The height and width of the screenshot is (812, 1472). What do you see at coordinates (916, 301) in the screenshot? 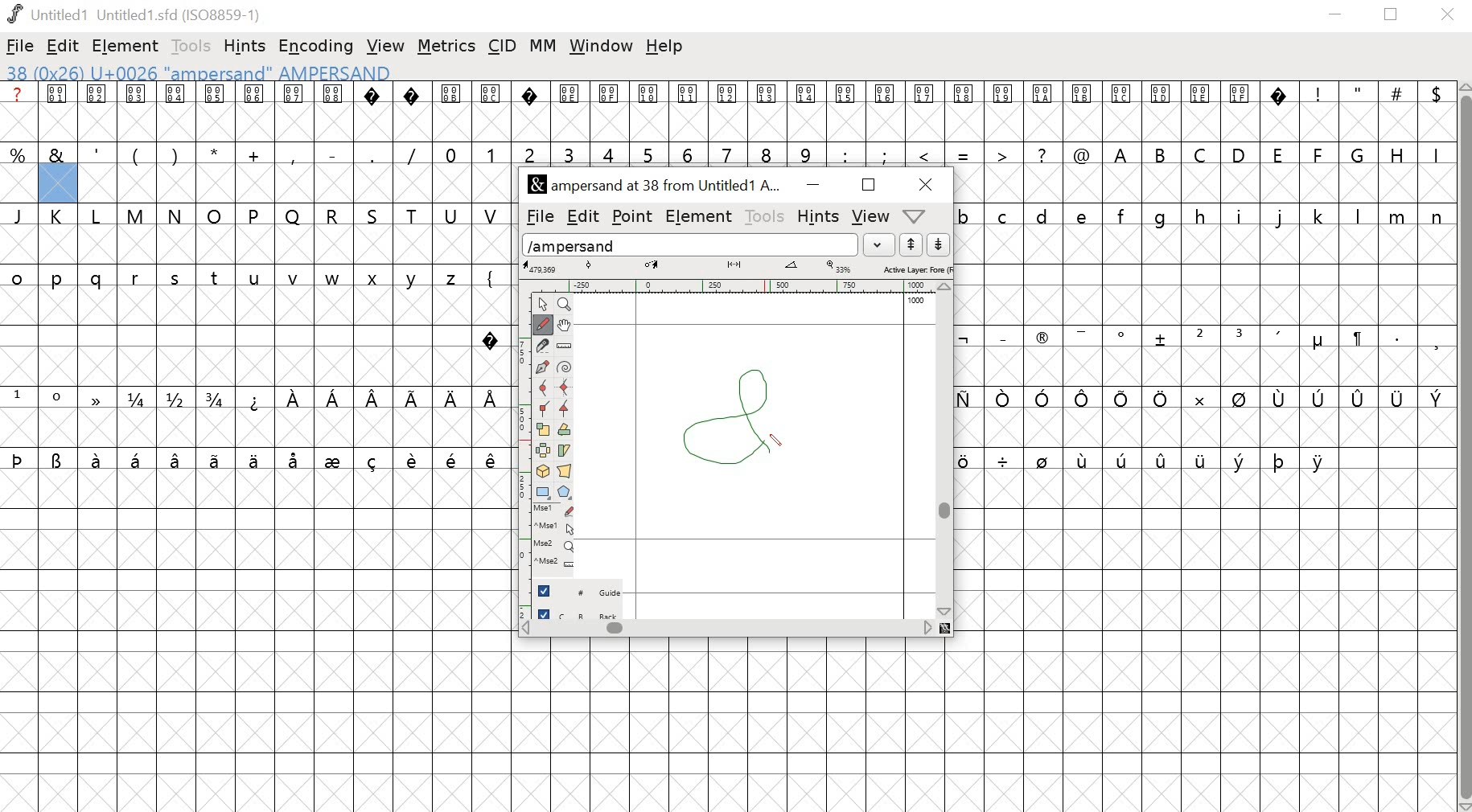
I see `guide` at bounding box center [916, 301].